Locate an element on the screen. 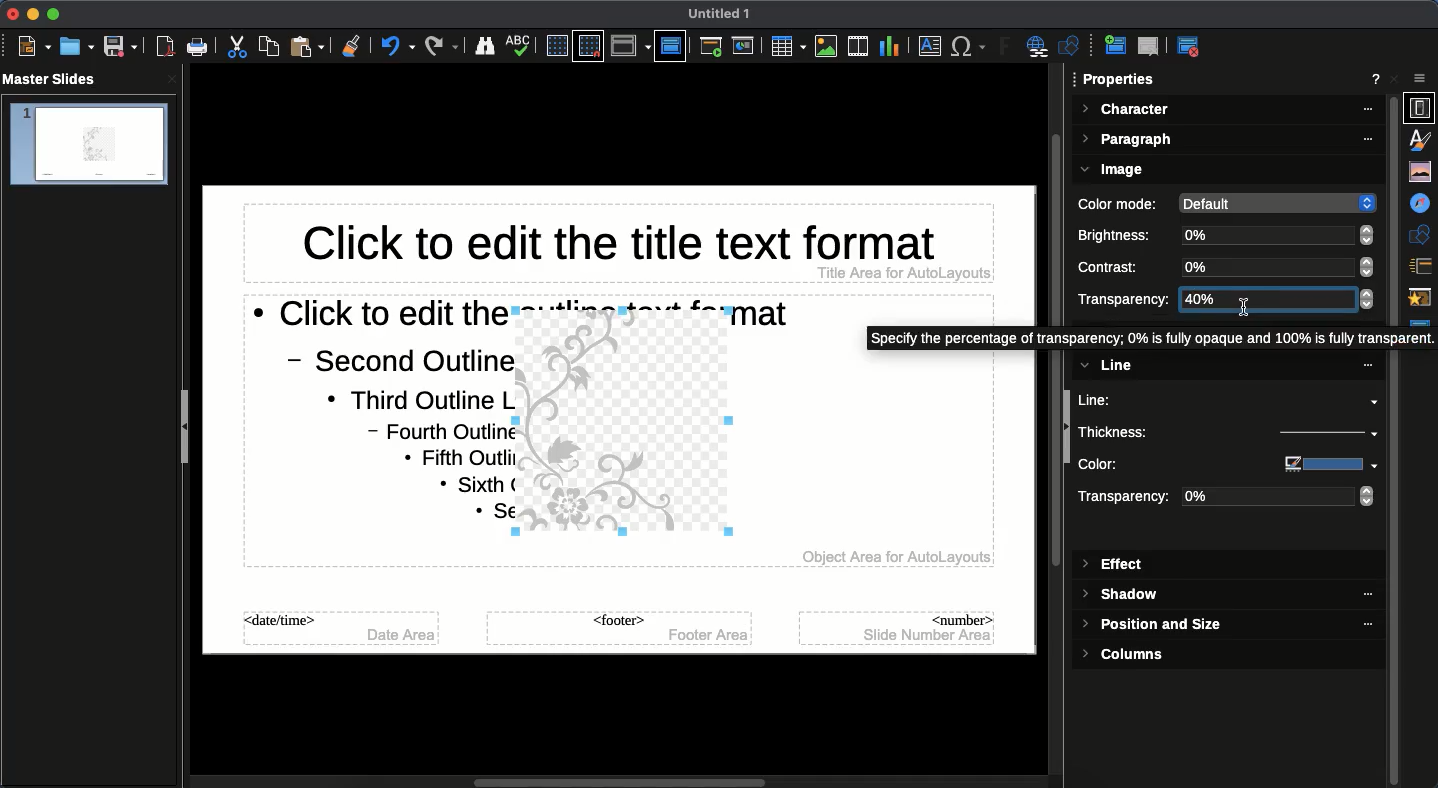  Clean formatting is located at coordinates (351, 46).